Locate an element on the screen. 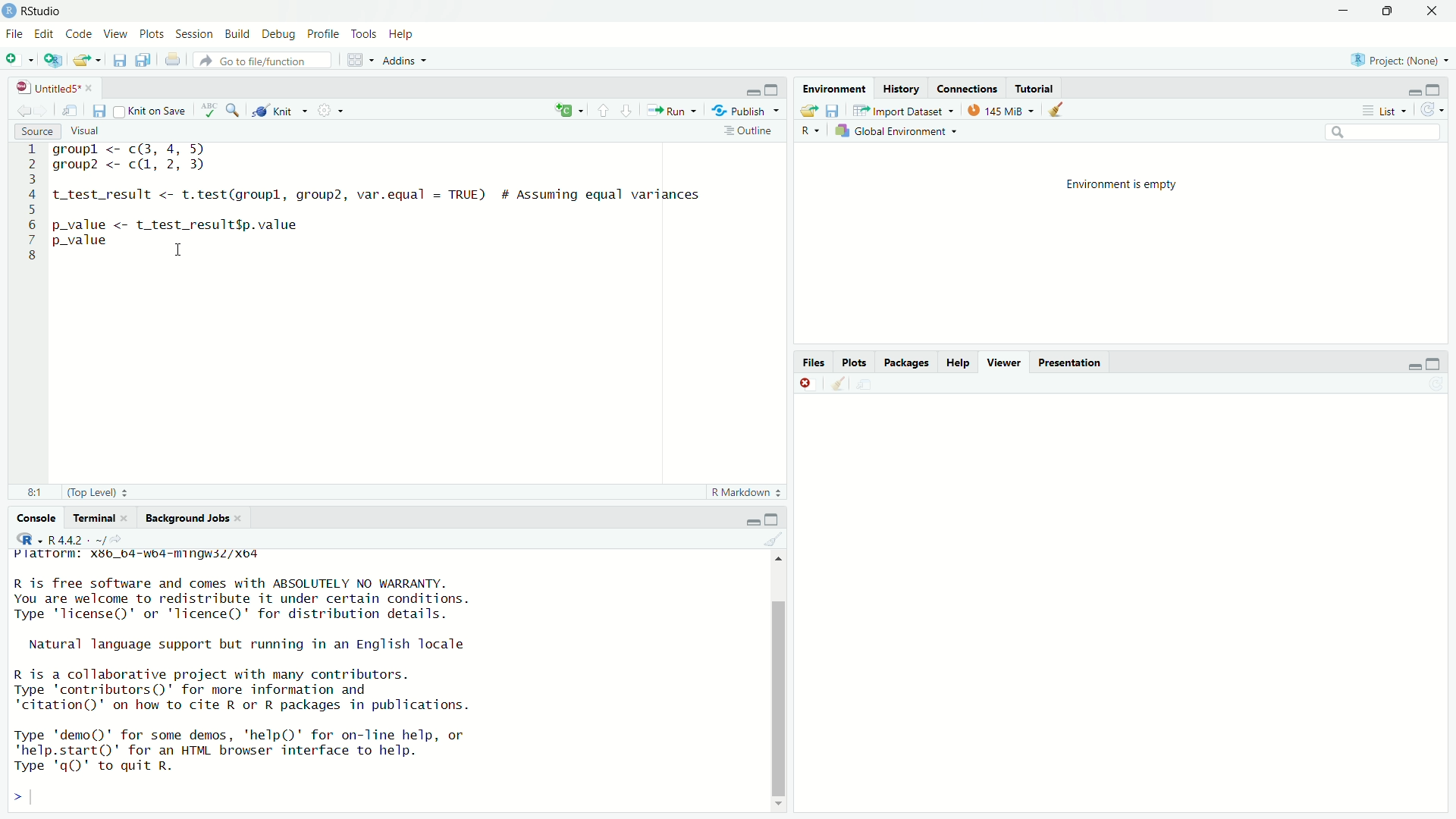  cursor is located at coordinates (182, 249).